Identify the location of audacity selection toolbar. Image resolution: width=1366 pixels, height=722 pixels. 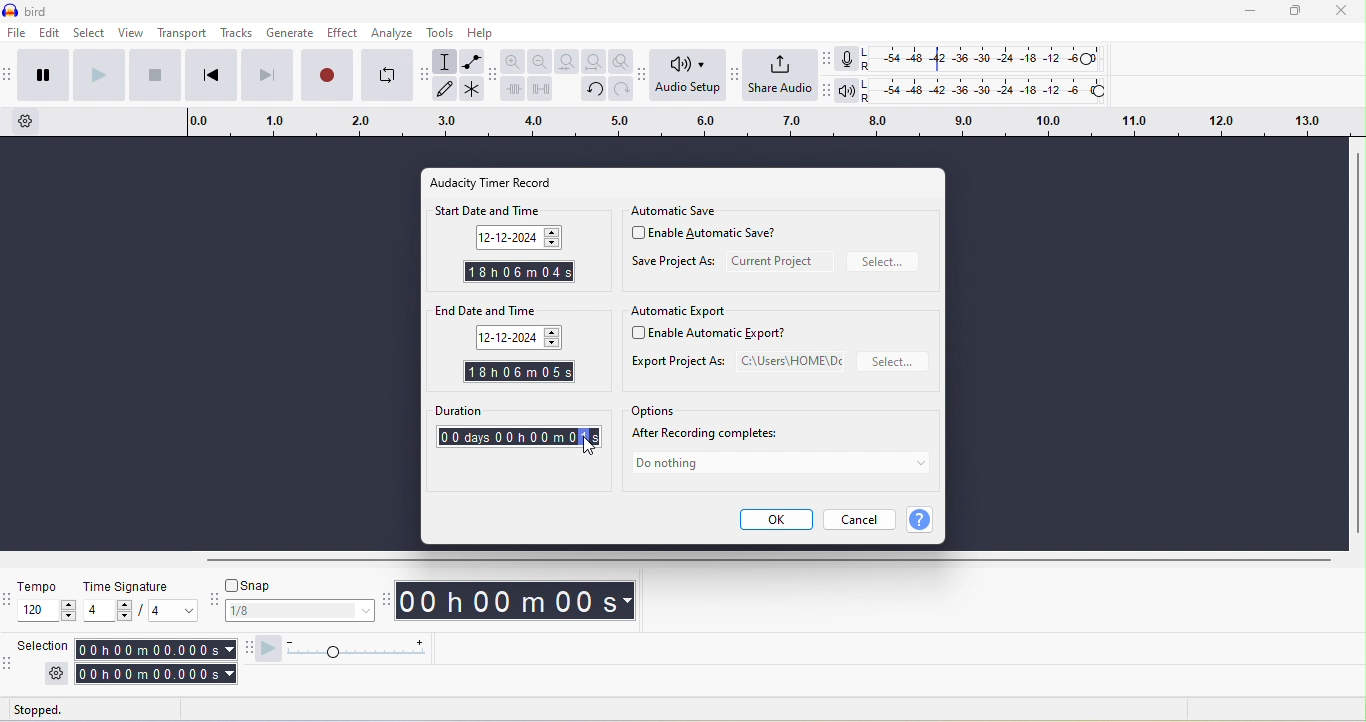
(9, 663).